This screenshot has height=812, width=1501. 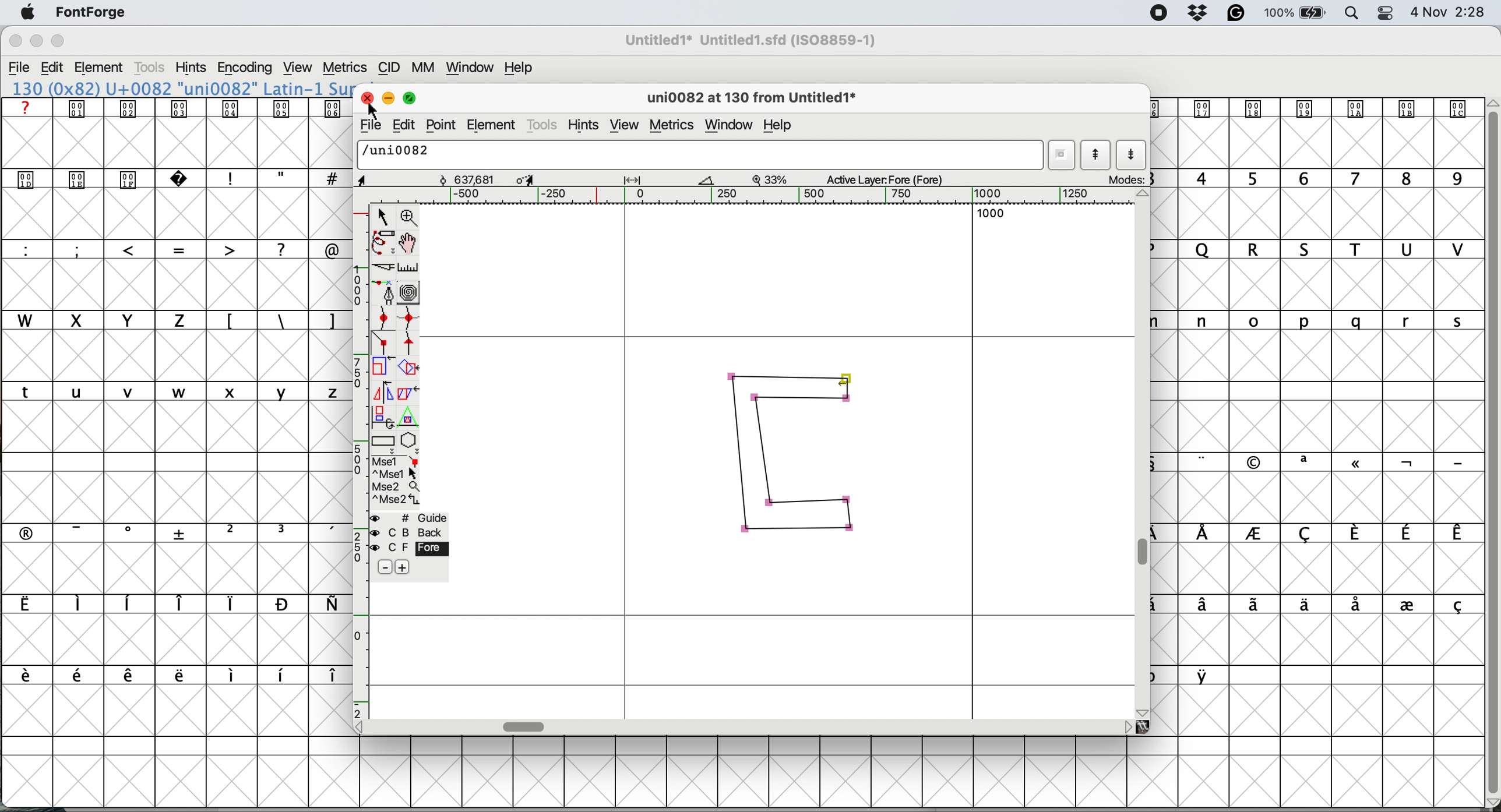 What do you see at coordinates (1127, 726) in the screenshot?
I see `scroll button` at bounding box center [1127, 726].